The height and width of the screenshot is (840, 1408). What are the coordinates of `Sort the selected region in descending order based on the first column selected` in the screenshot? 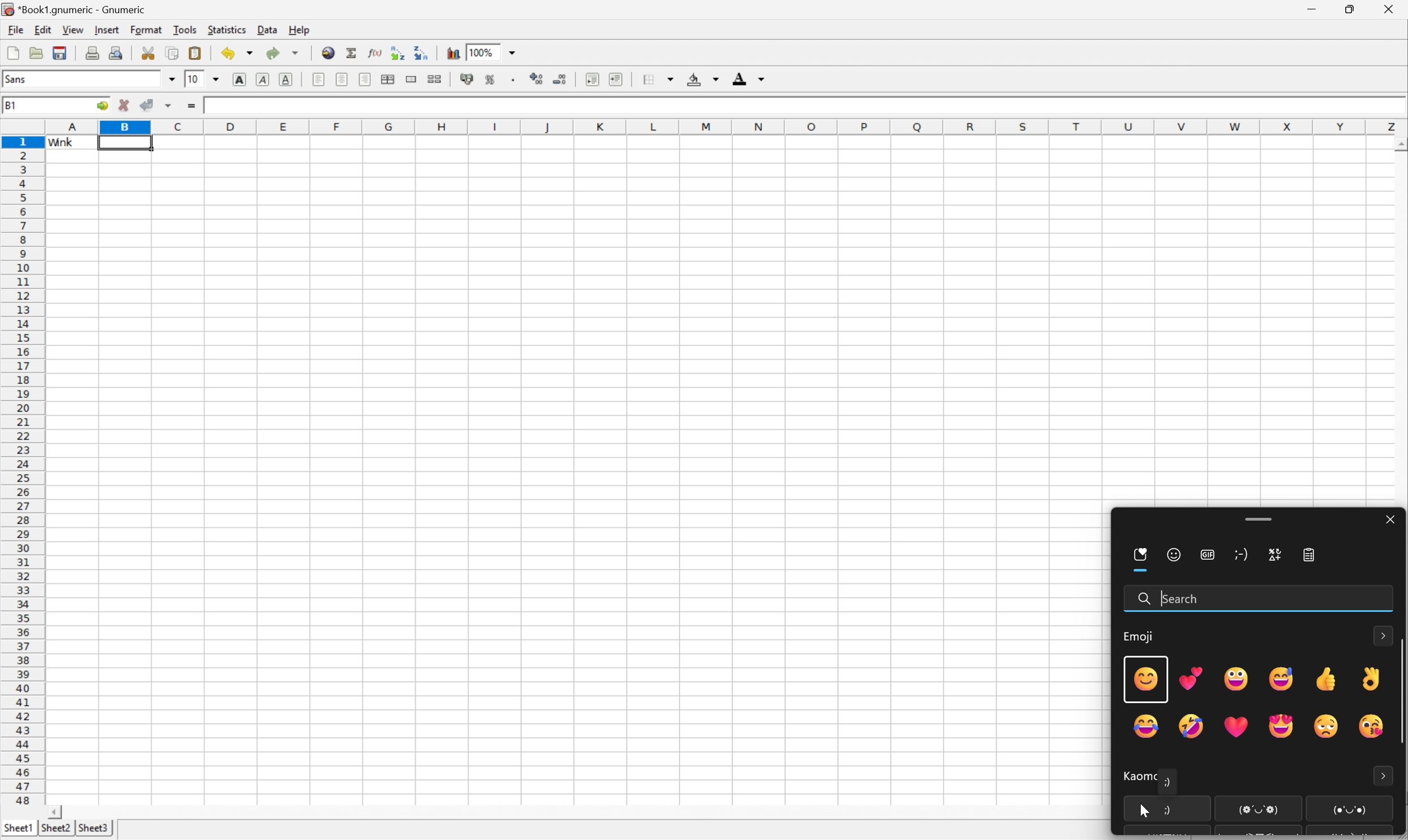 It's located at (422, 52).